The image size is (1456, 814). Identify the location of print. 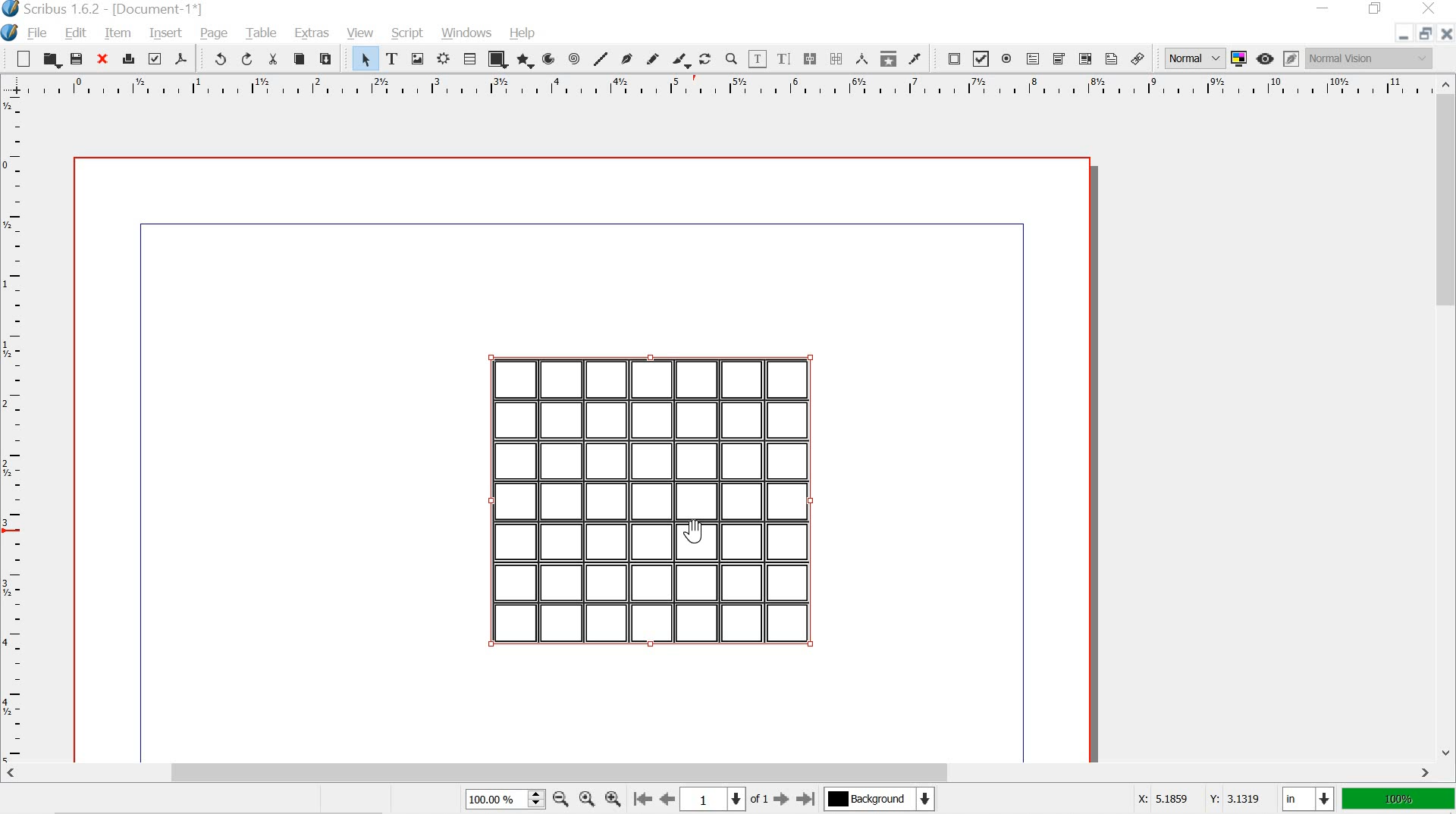
(129, 60).